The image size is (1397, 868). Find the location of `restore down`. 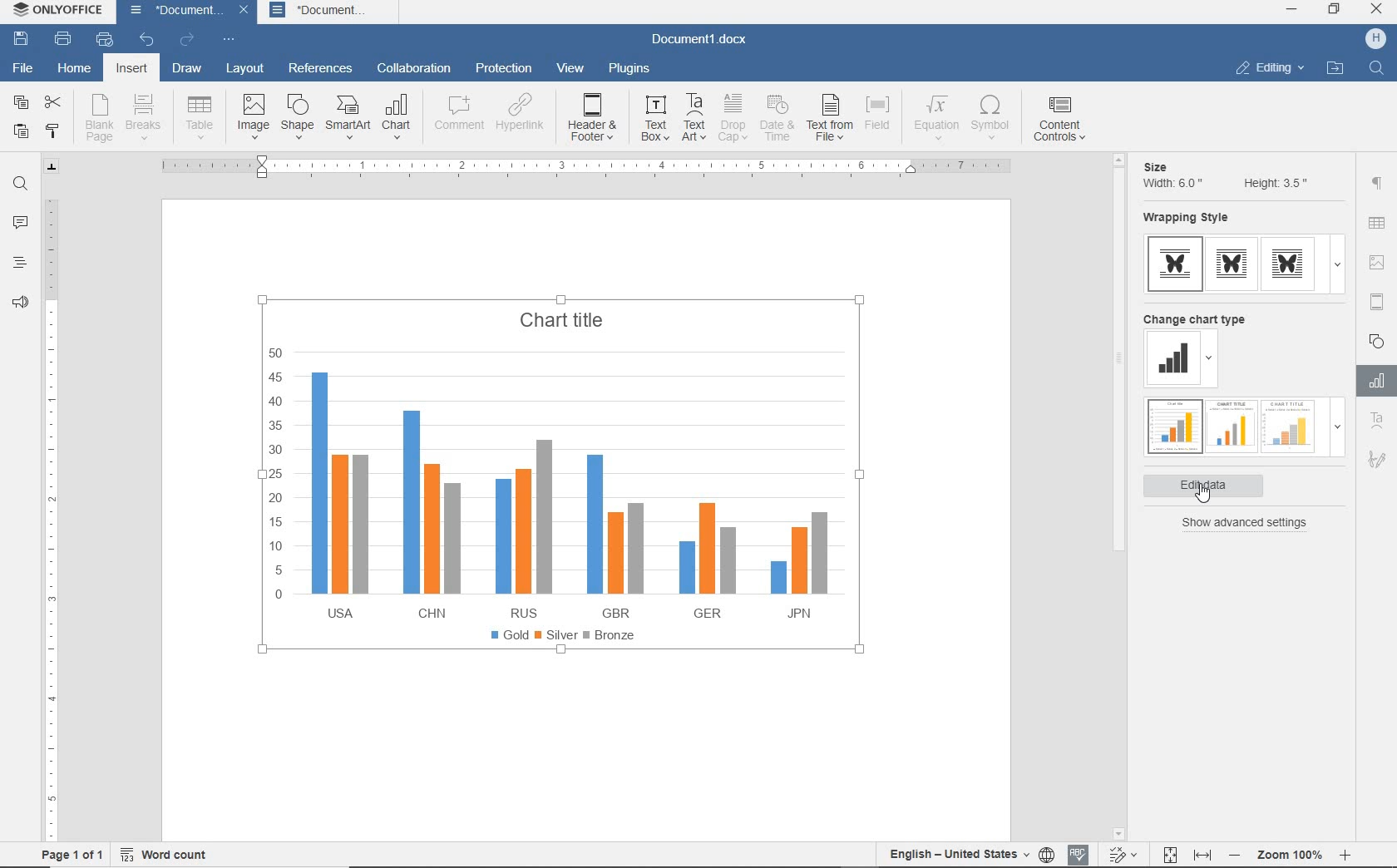

restore down is located at coordinates (1335, 11).